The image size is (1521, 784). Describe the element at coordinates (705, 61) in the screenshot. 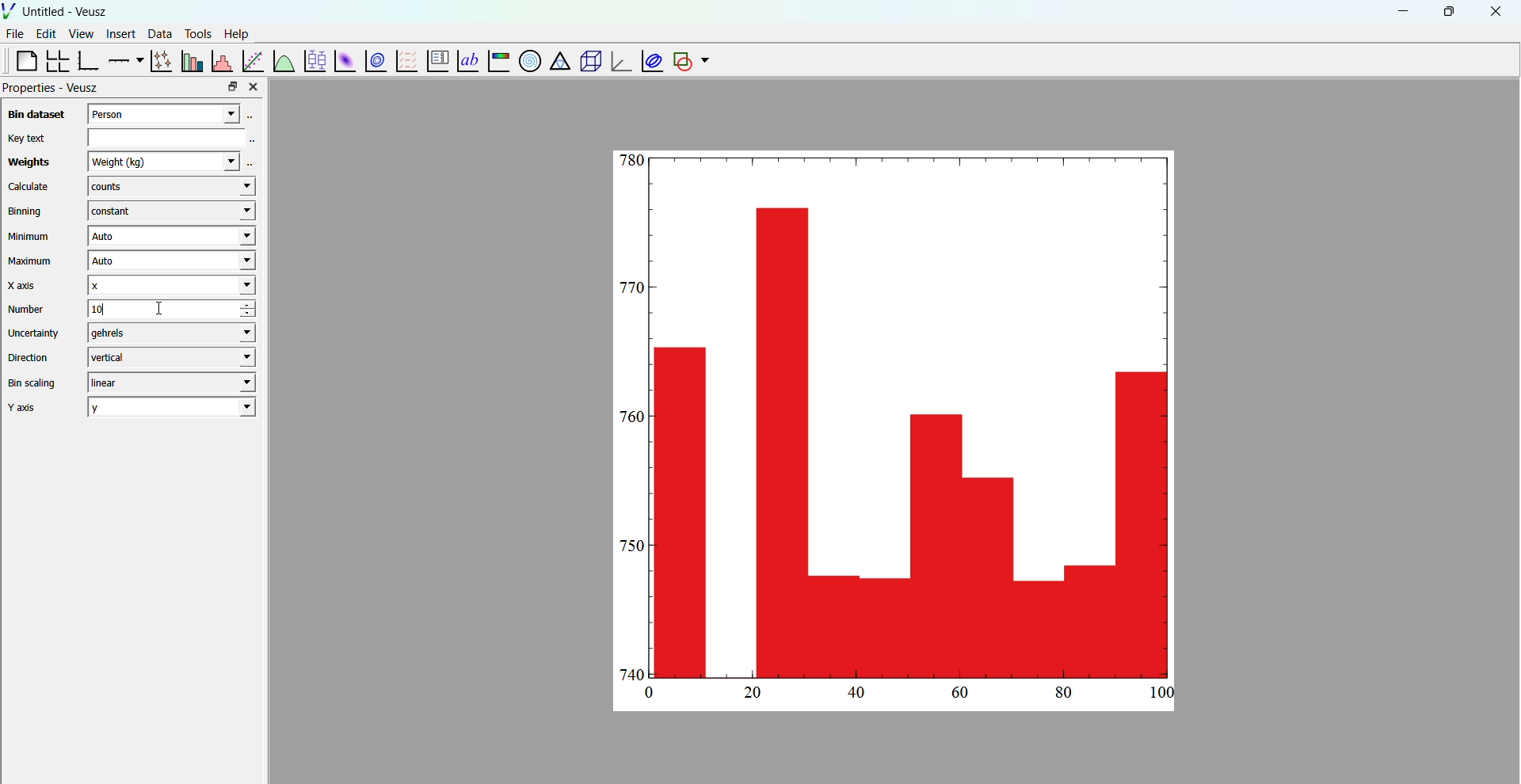

I see `dropdown` at that location.